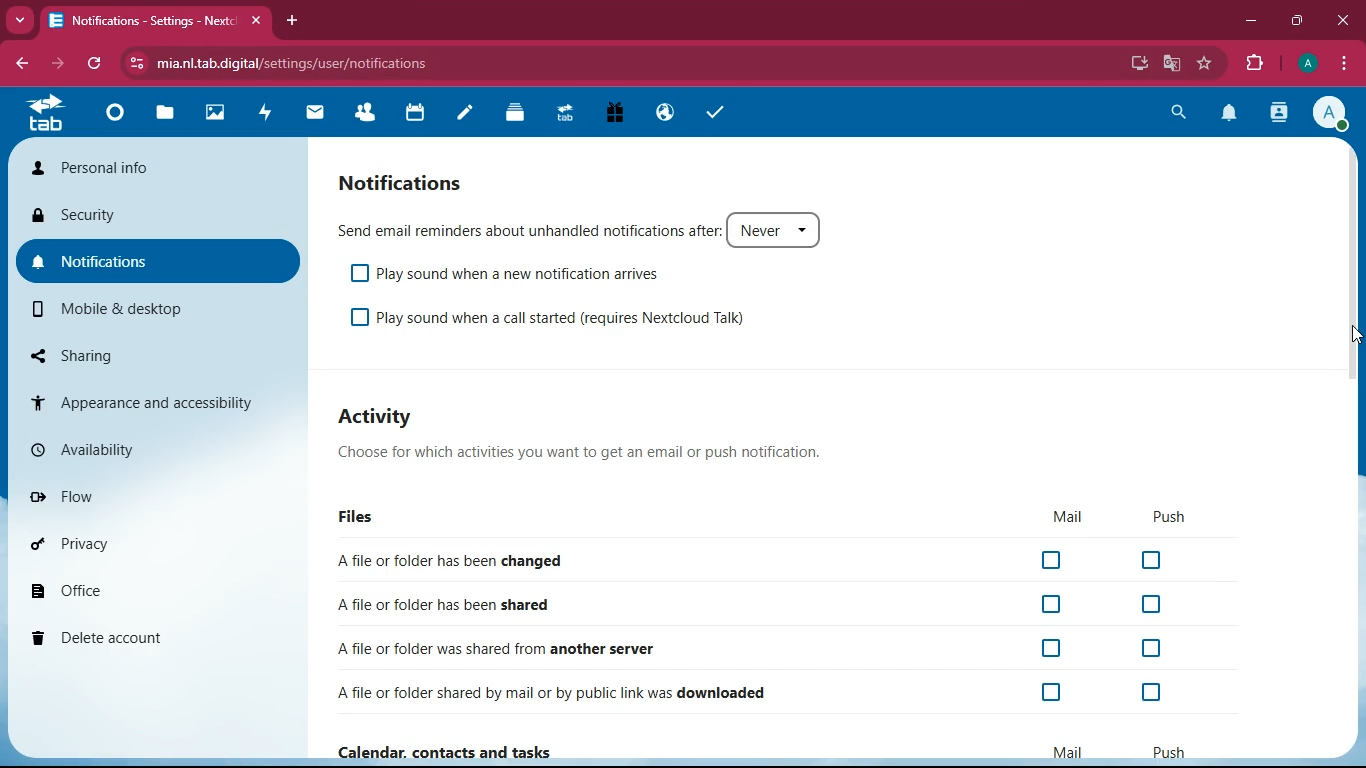 This screenshot has height=768, width=1366. I want to click on options, so click(1346, 65).